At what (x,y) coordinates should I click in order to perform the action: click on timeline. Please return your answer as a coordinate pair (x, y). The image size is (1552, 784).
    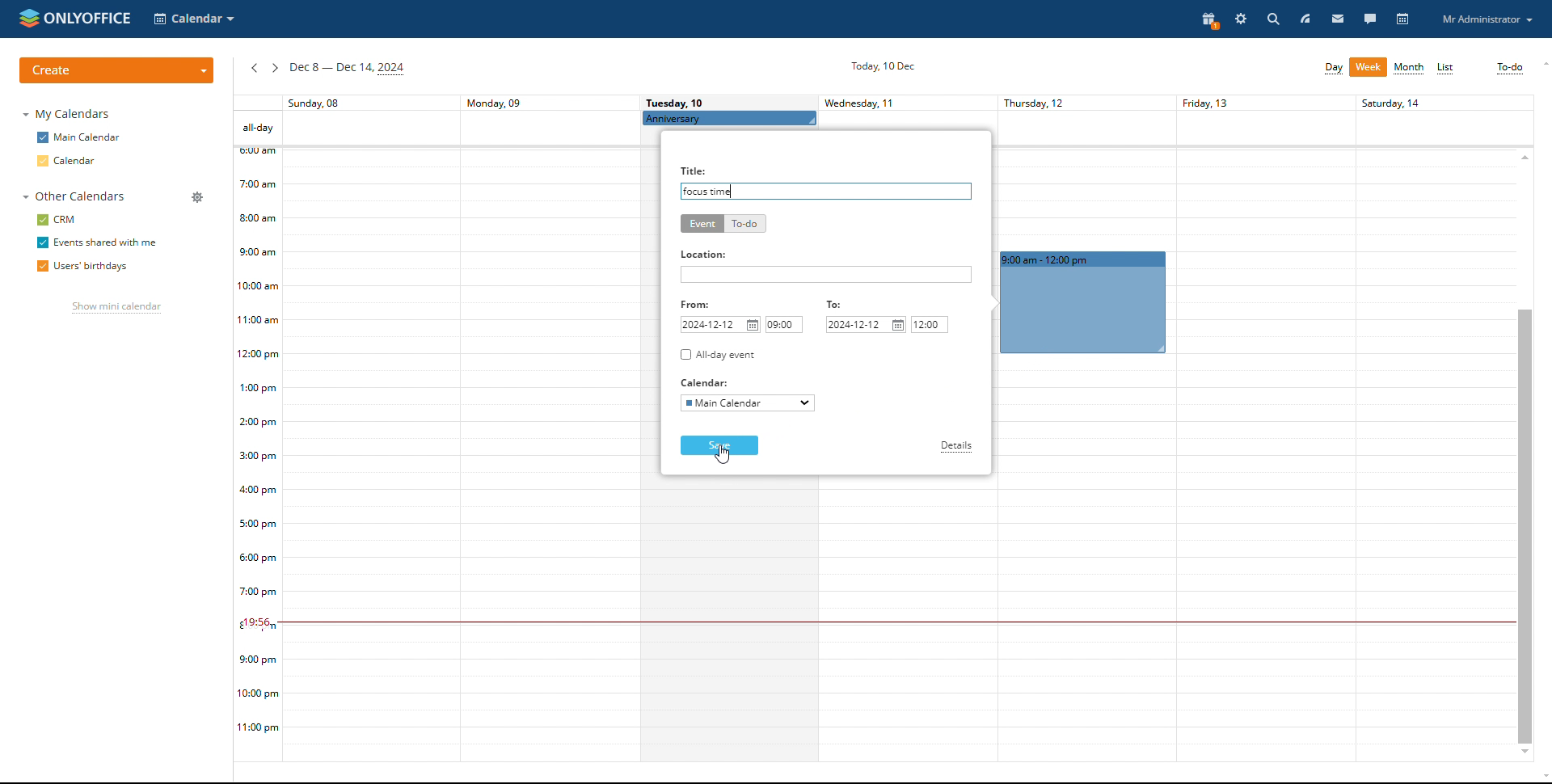
    Looking at the image, I should click on (258, 455).